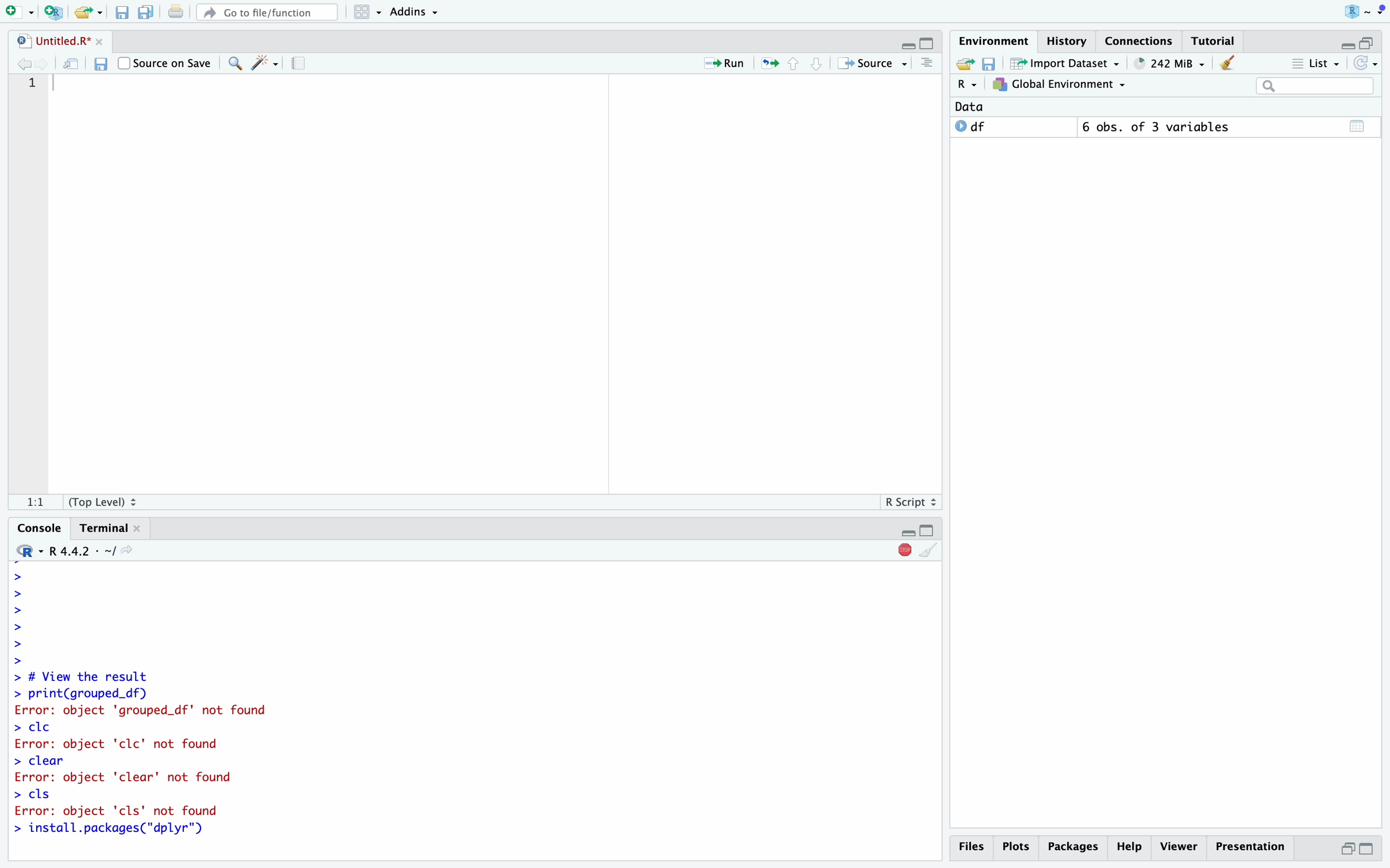  What do you see at coordinates (56, 12) in the screenshot?
I see `Create new project` at bounding box center [56, 12].